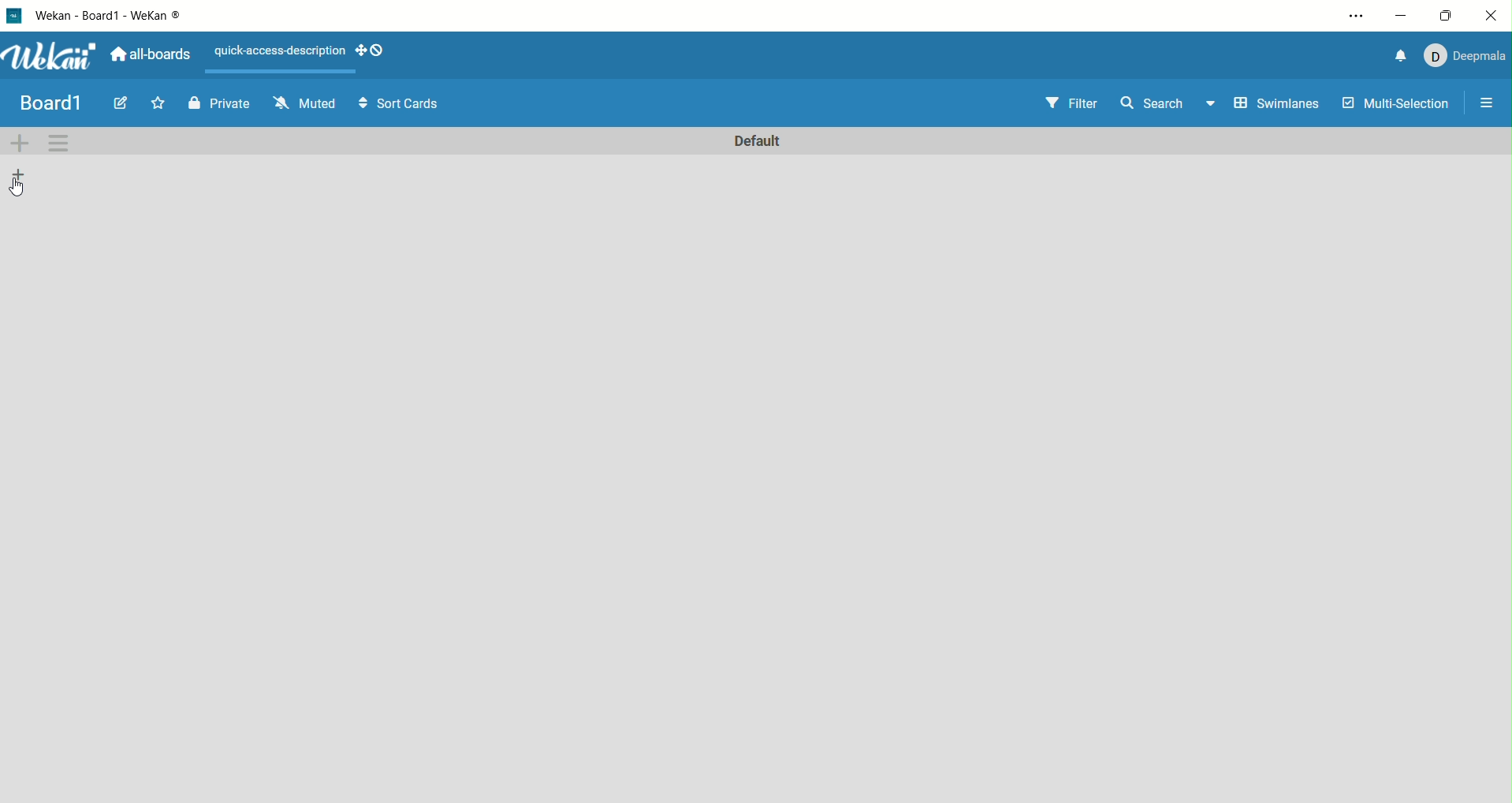 This screenshot has height=803, width=1512. What do you see at coordinates (1402, 56) in the screenshot?
I see `notification` at bounding box center [1402, 56].